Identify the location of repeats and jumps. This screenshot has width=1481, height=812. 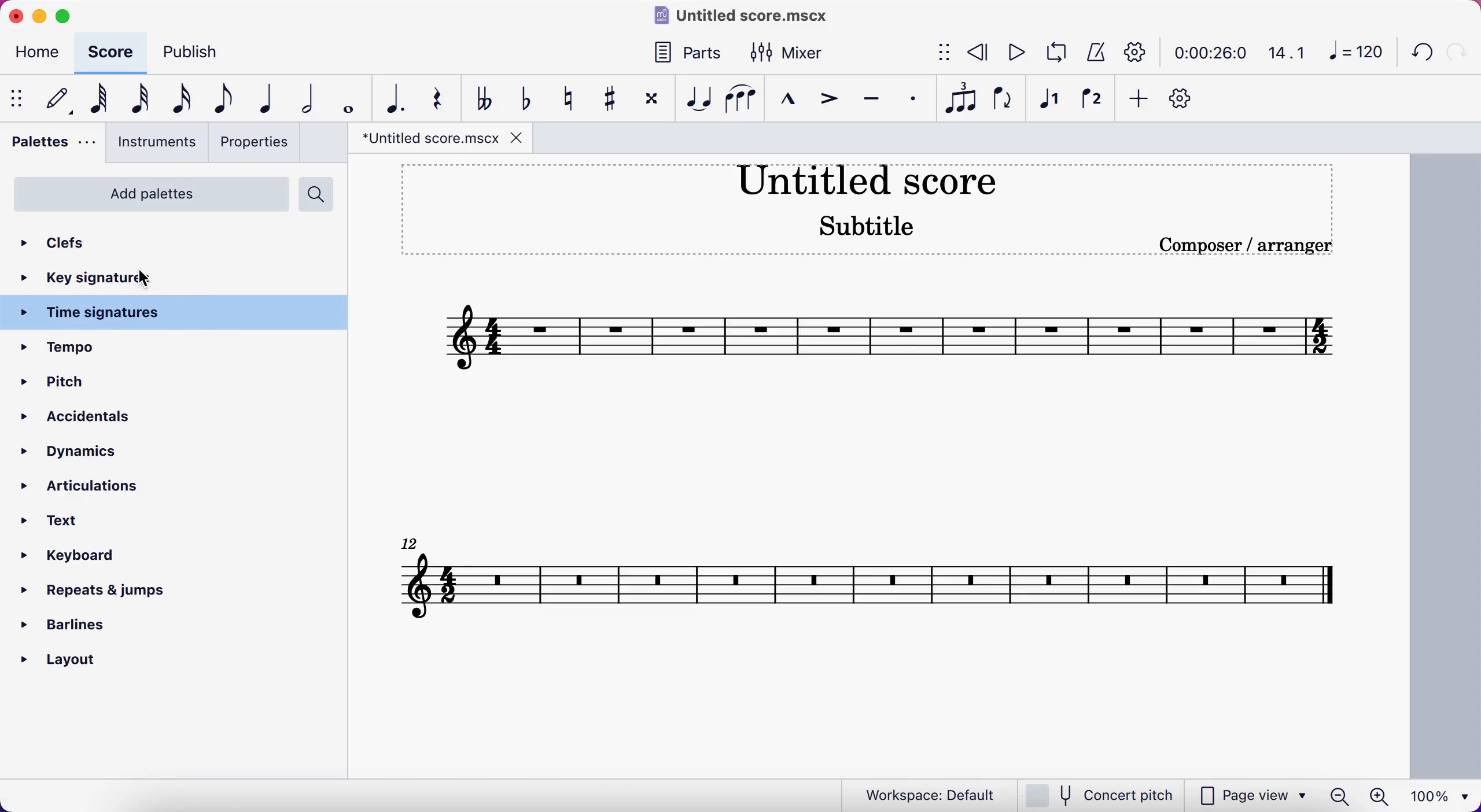
(104, 590).